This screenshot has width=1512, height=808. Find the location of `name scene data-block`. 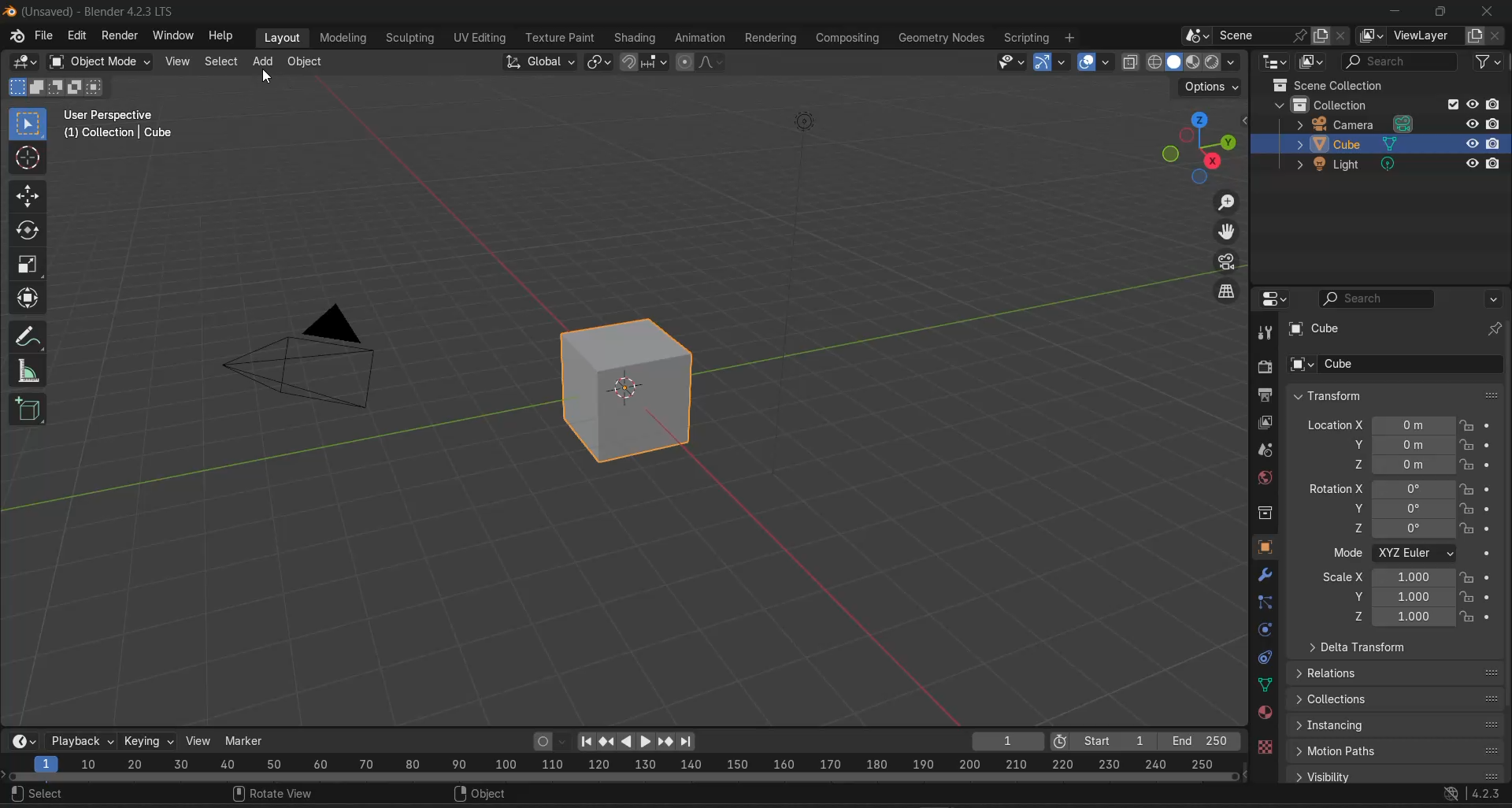

name scene data-block is located at coordinates (1253, 36).